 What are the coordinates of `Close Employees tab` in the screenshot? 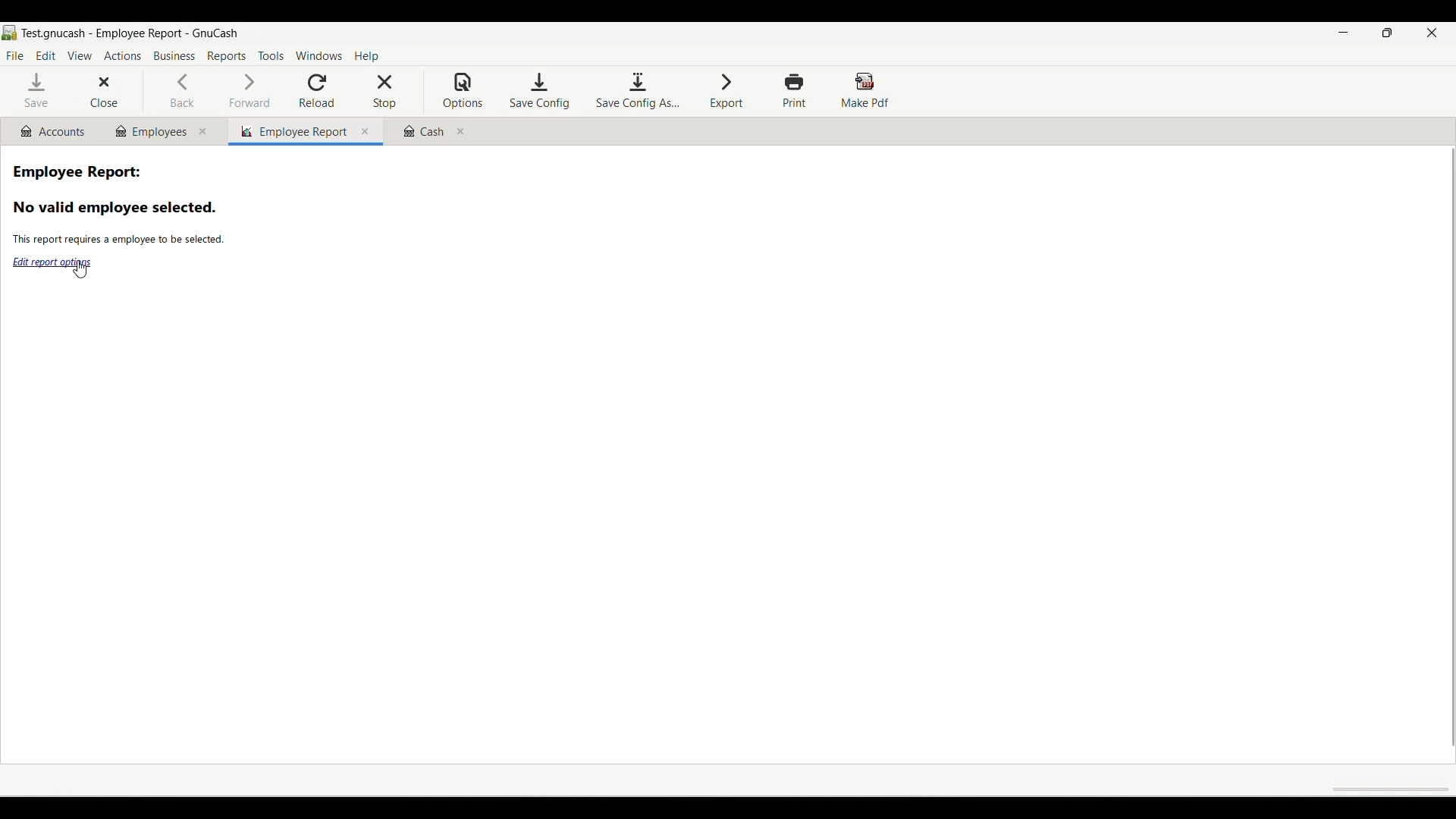 It's located at (205, 131).